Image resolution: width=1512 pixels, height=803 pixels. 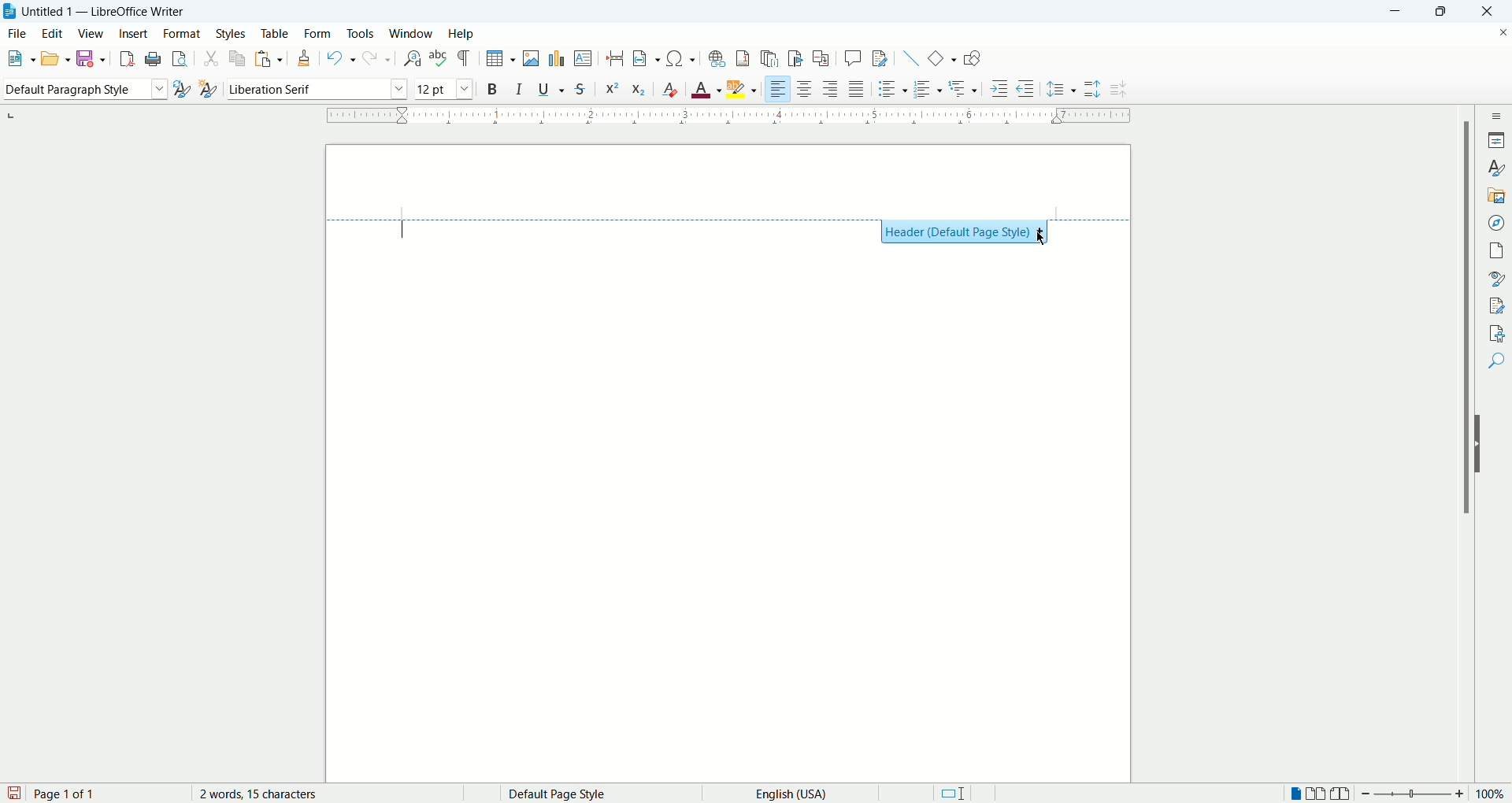 I want to click on spell check, so click(x=438, y=58).